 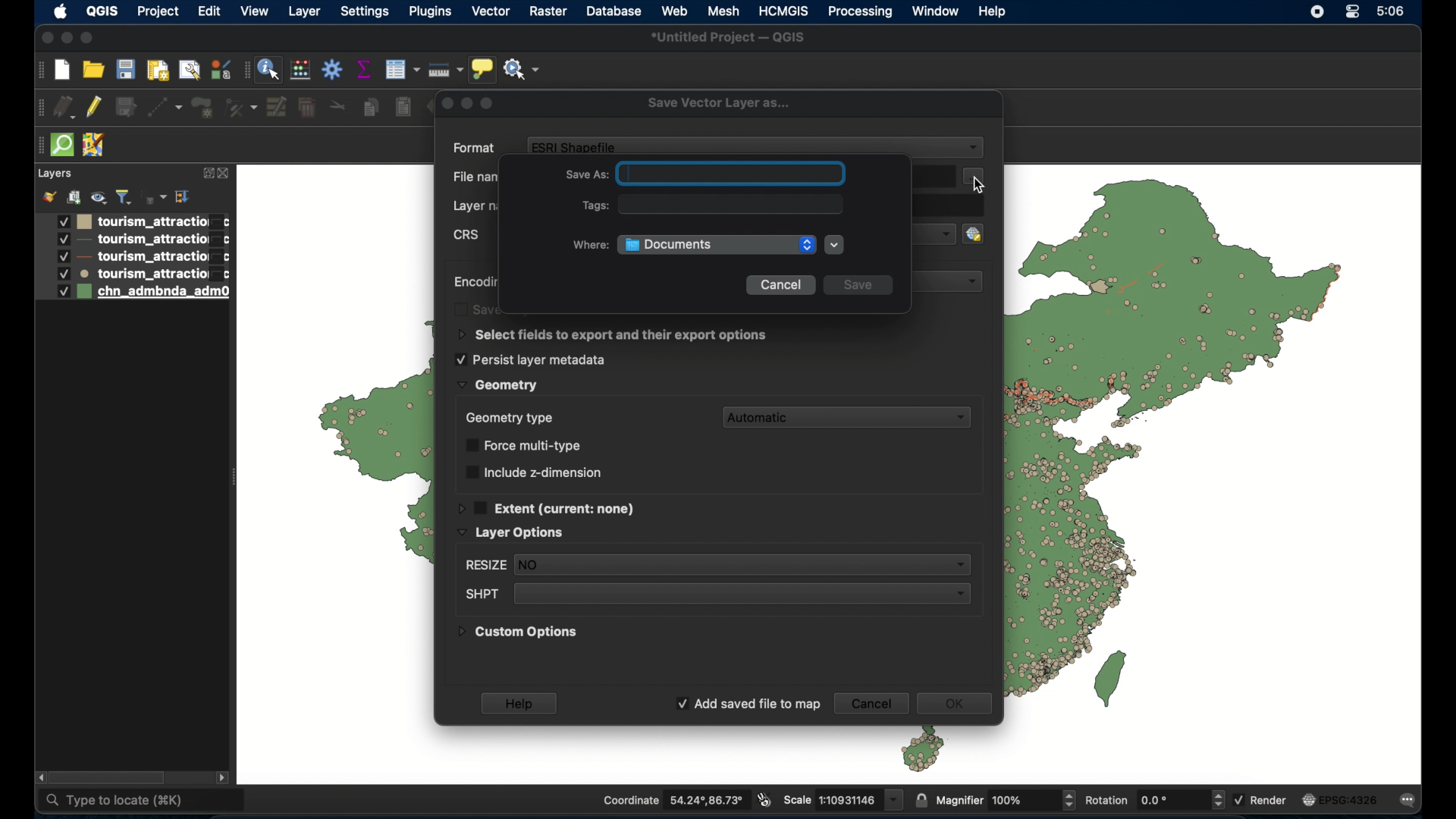 I want to click on layer options, so click(x=511, y=533).